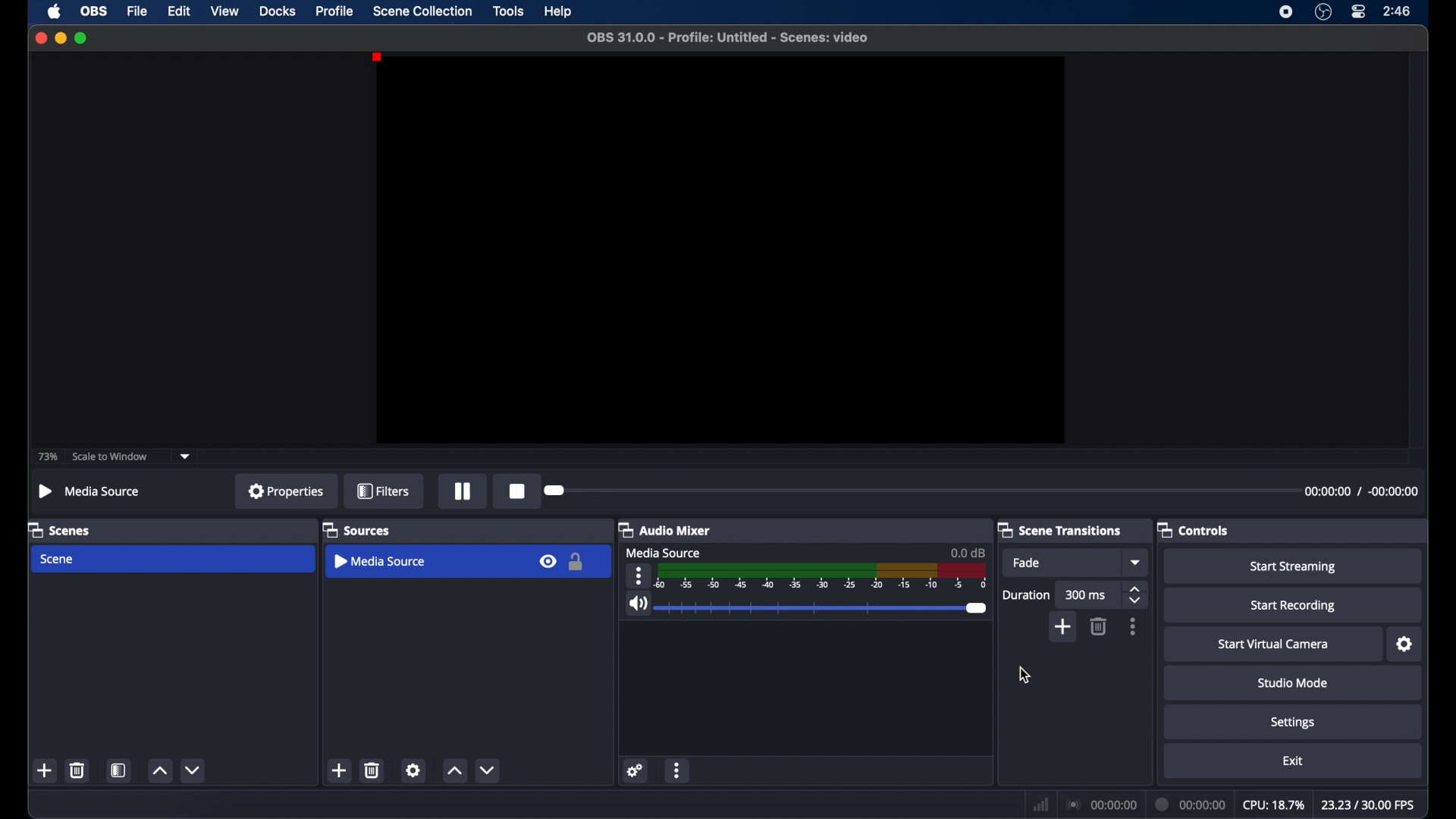 This screenshot has width=1456, height=819. Describe the element at coordinates (559, 12) in the screenshot. I see `help` at that location.